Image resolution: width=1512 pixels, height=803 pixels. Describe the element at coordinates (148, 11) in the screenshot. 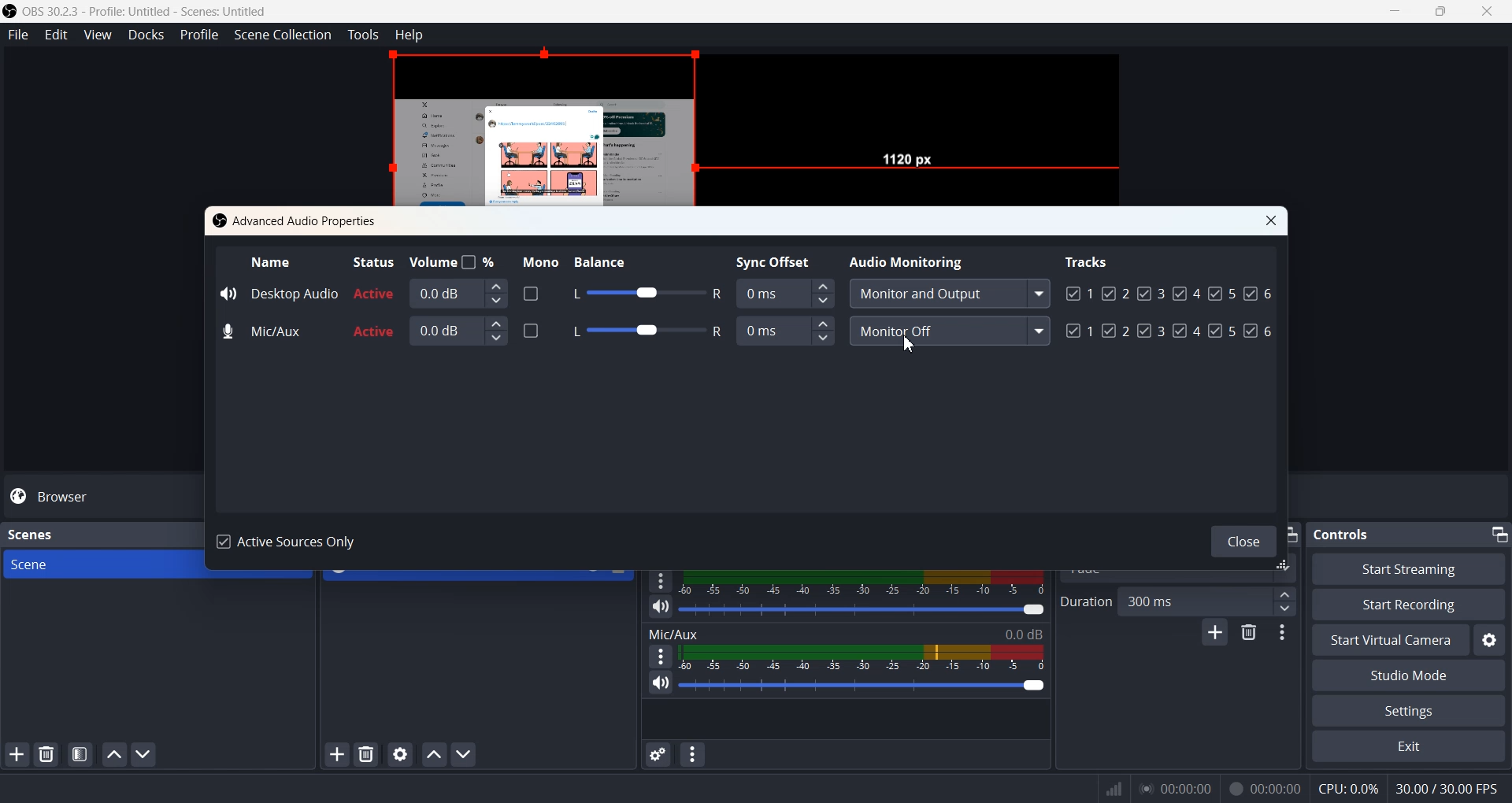

I see `‘OBS 30.2.3 - Profile: Untitled - Scenes: Untitled` at that location.